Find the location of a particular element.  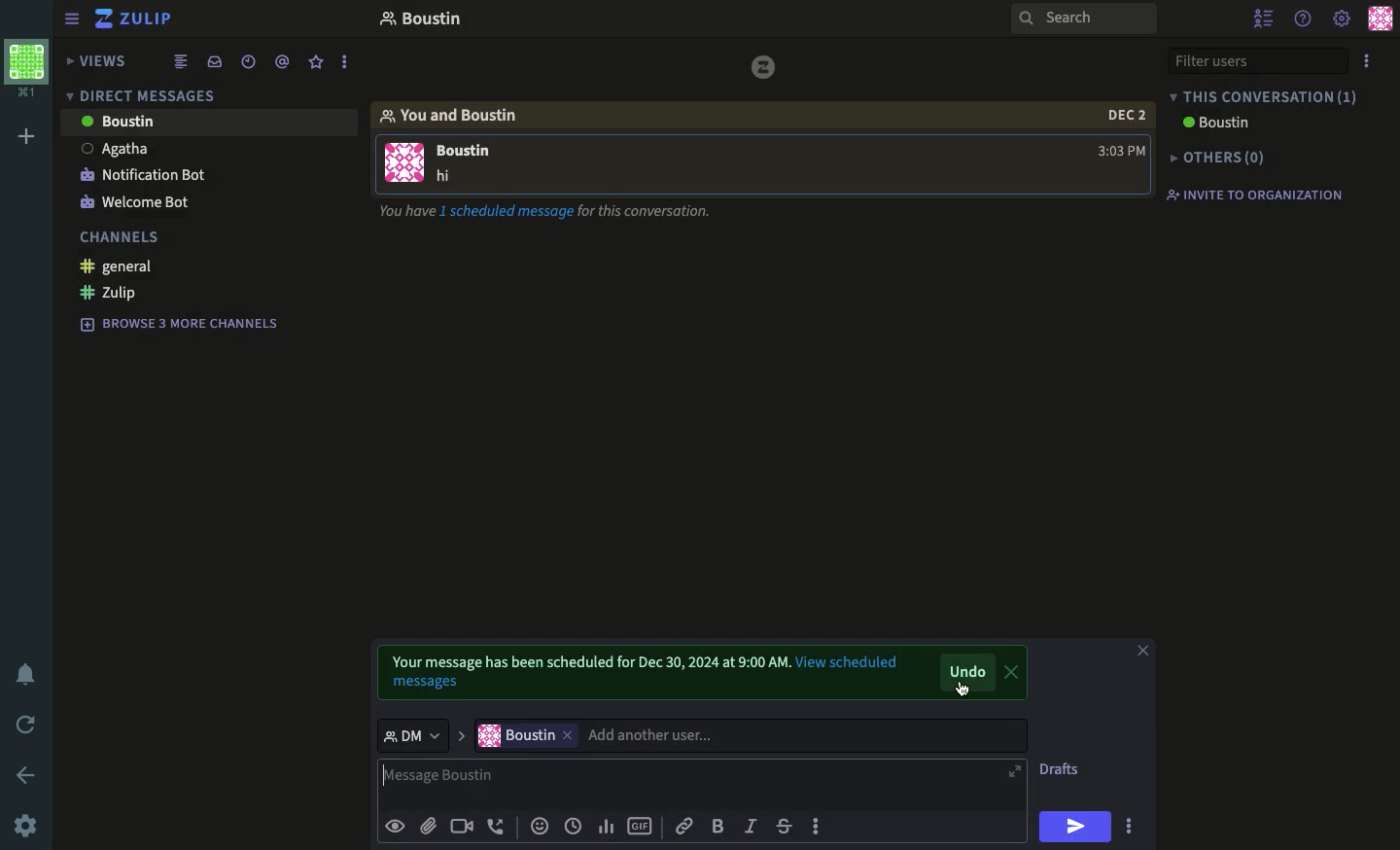

combined feed is located at coordinates (182, 63).